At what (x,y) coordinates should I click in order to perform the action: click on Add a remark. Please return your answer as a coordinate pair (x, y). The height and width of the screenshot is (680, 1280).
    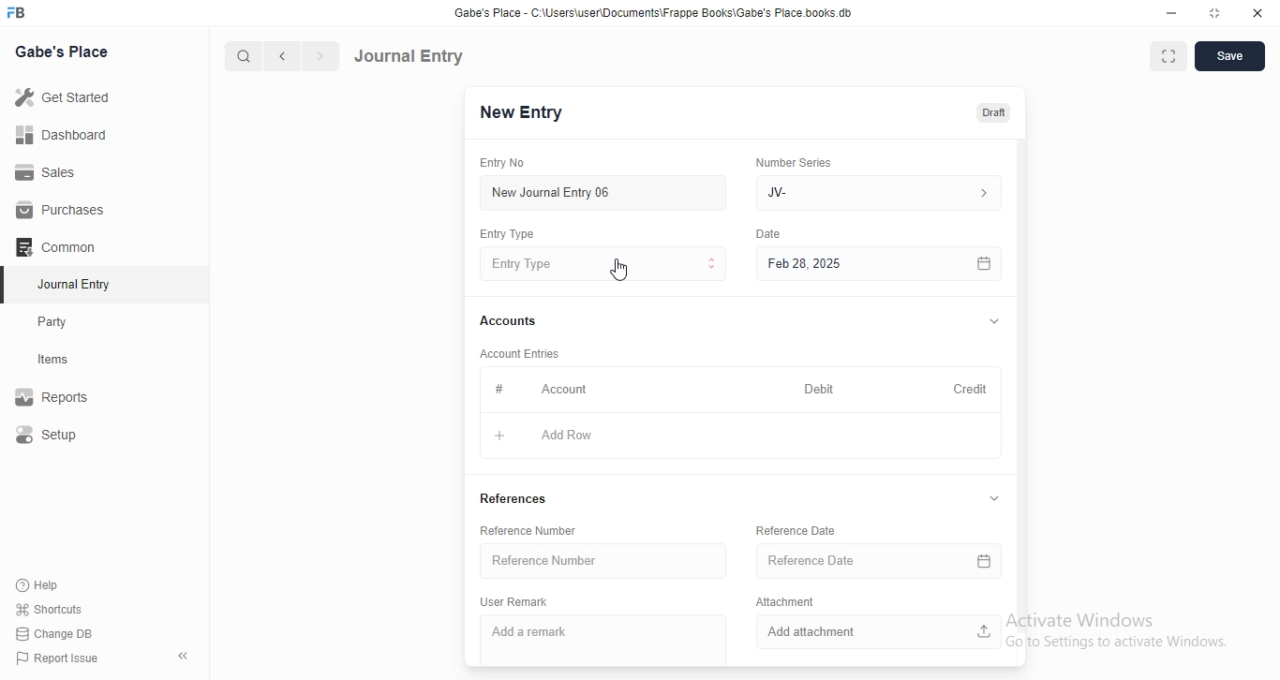
    Looking at the image, I should click on (606, 636).